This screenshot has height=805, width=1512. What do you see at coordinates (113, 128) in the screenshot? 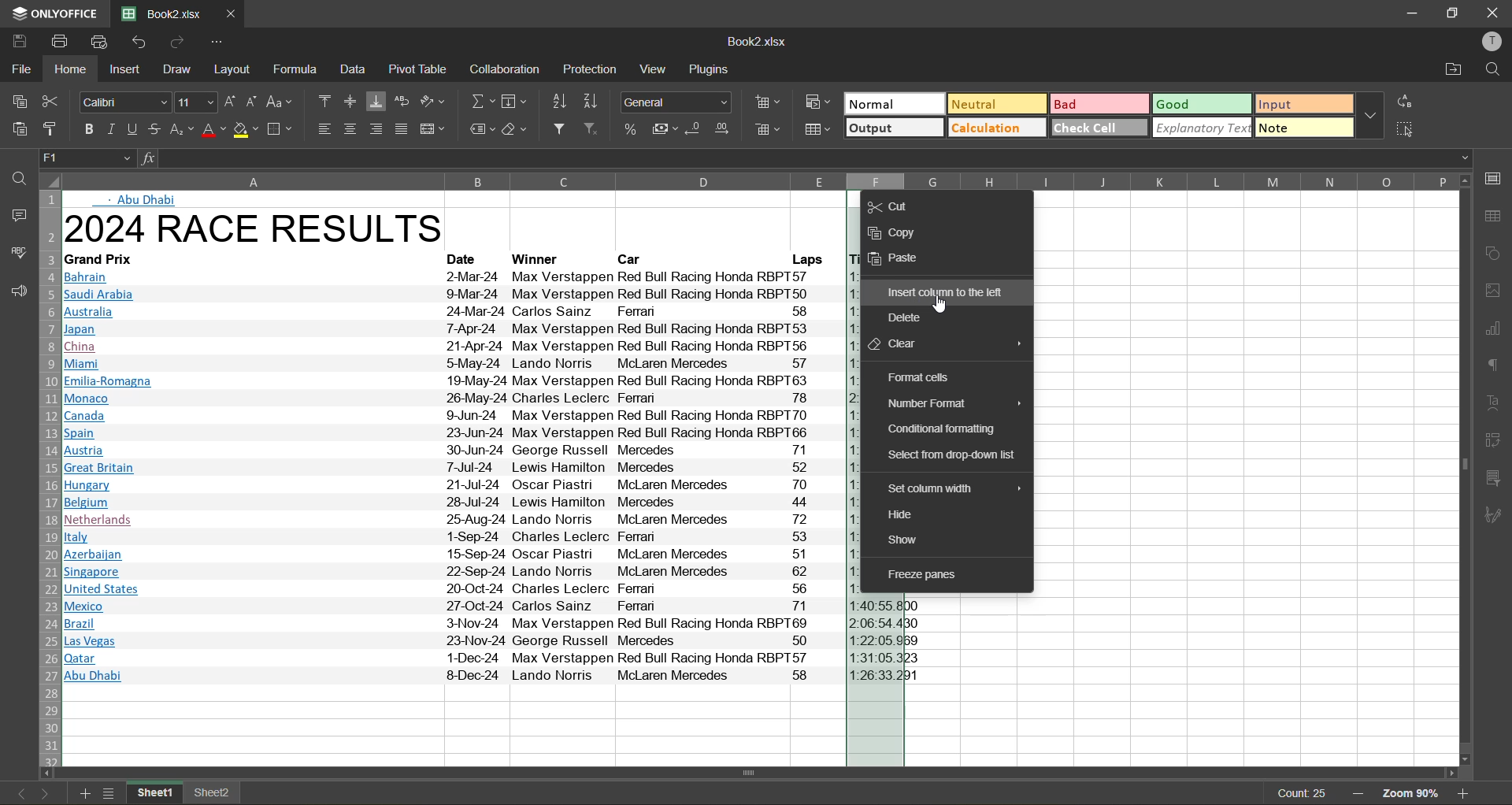
I see `italic` at bounding box center [113, 128].